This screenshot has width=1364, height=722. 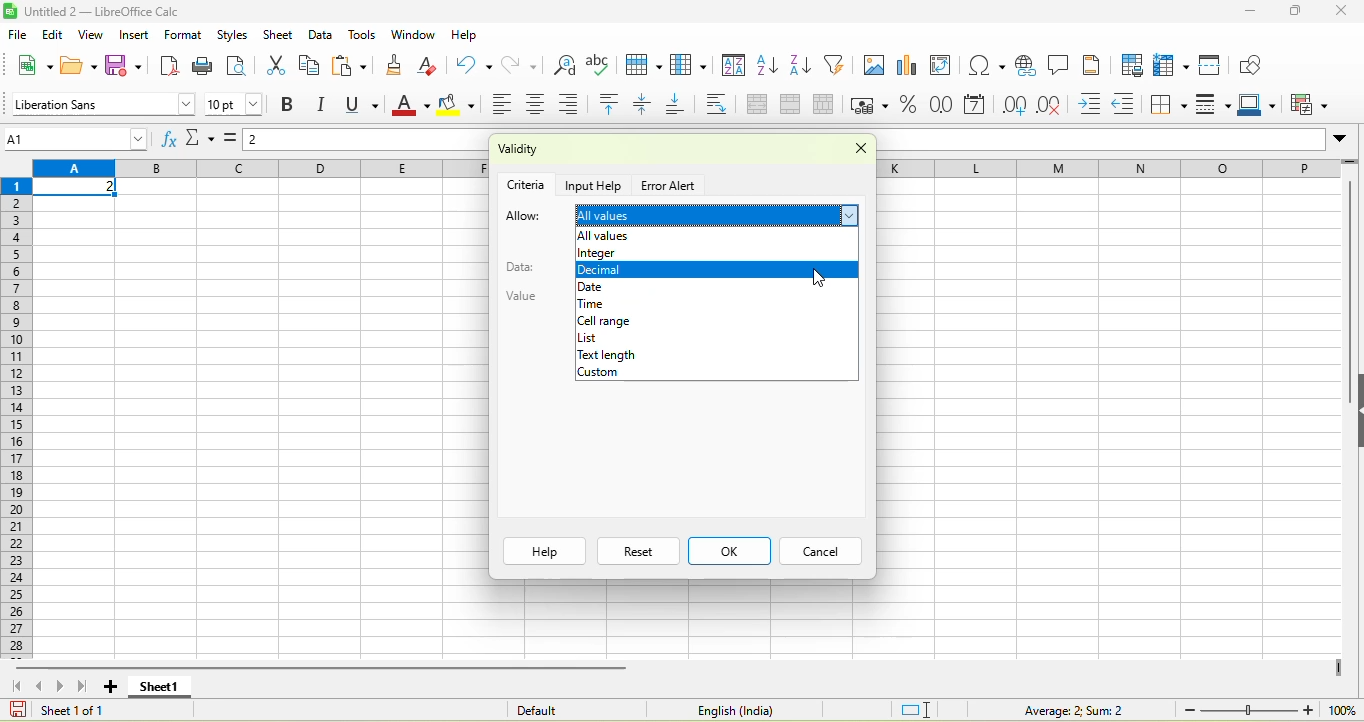 What do you see at coordinates (1298, 12) in the screenshot?
I see `maximize` at bounding box center [1298, 12].